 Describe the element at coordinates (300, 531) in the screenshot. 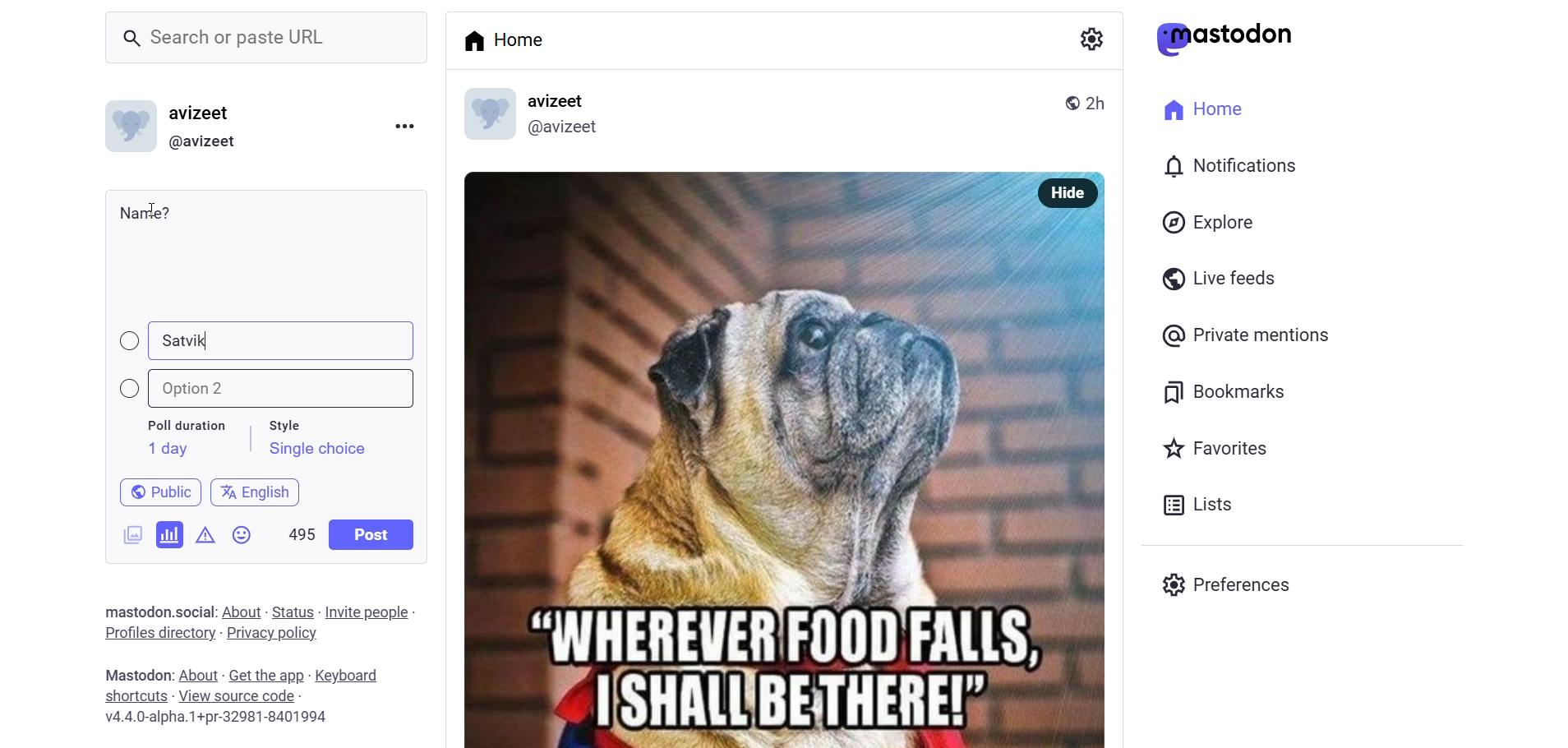

I see `500` at that location.